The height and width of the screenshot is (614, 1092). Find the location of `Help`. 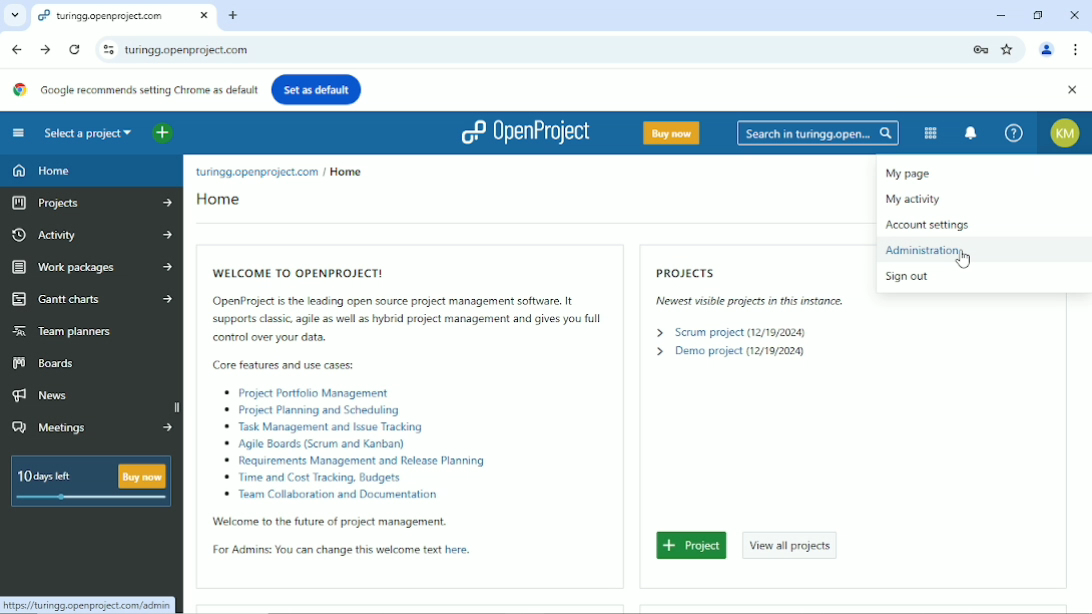

Help is located at coordinates (1013, 133).